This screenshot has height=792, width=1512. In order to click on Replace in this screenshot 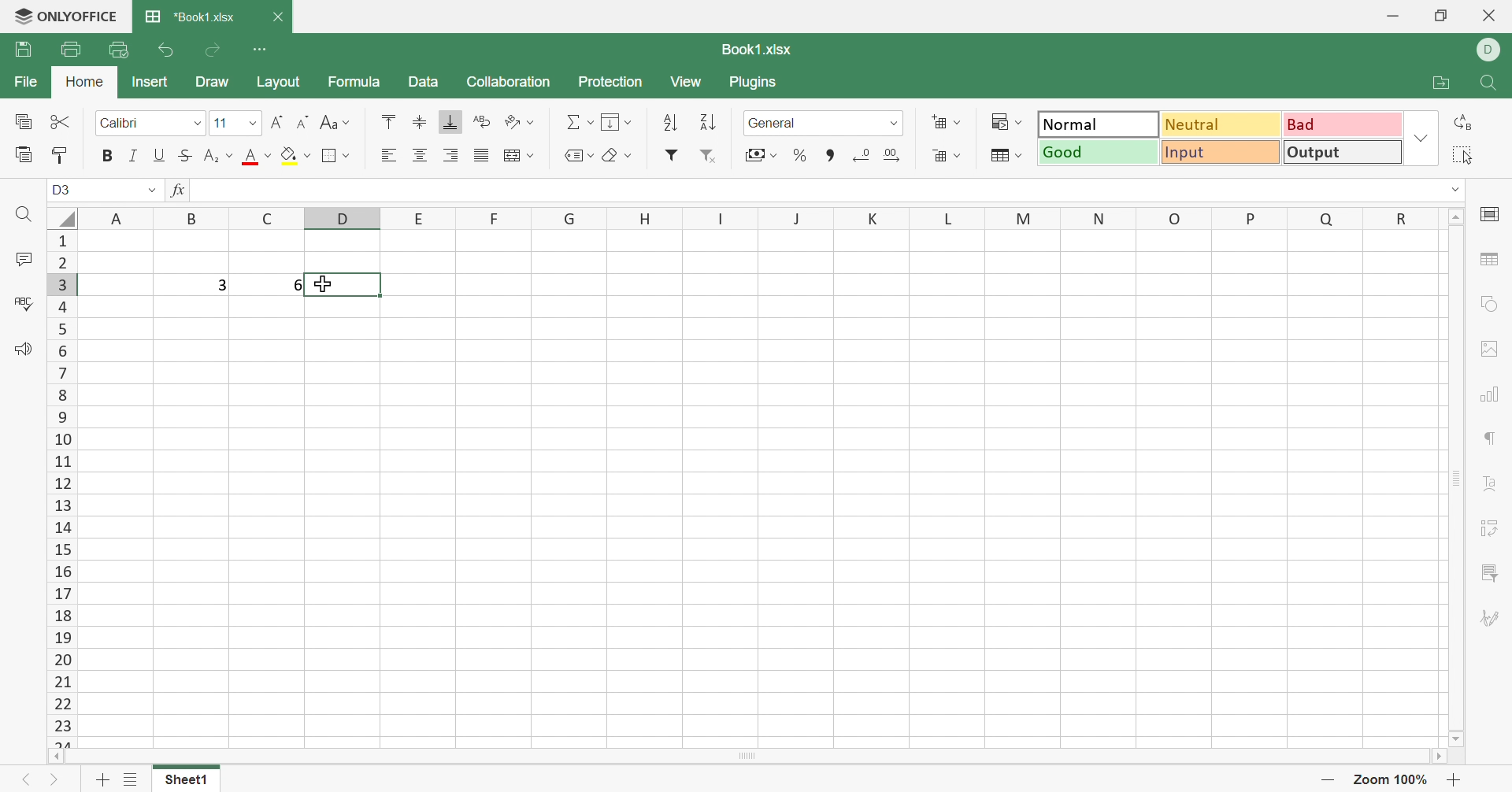, I will do `click(1465, 120)`.